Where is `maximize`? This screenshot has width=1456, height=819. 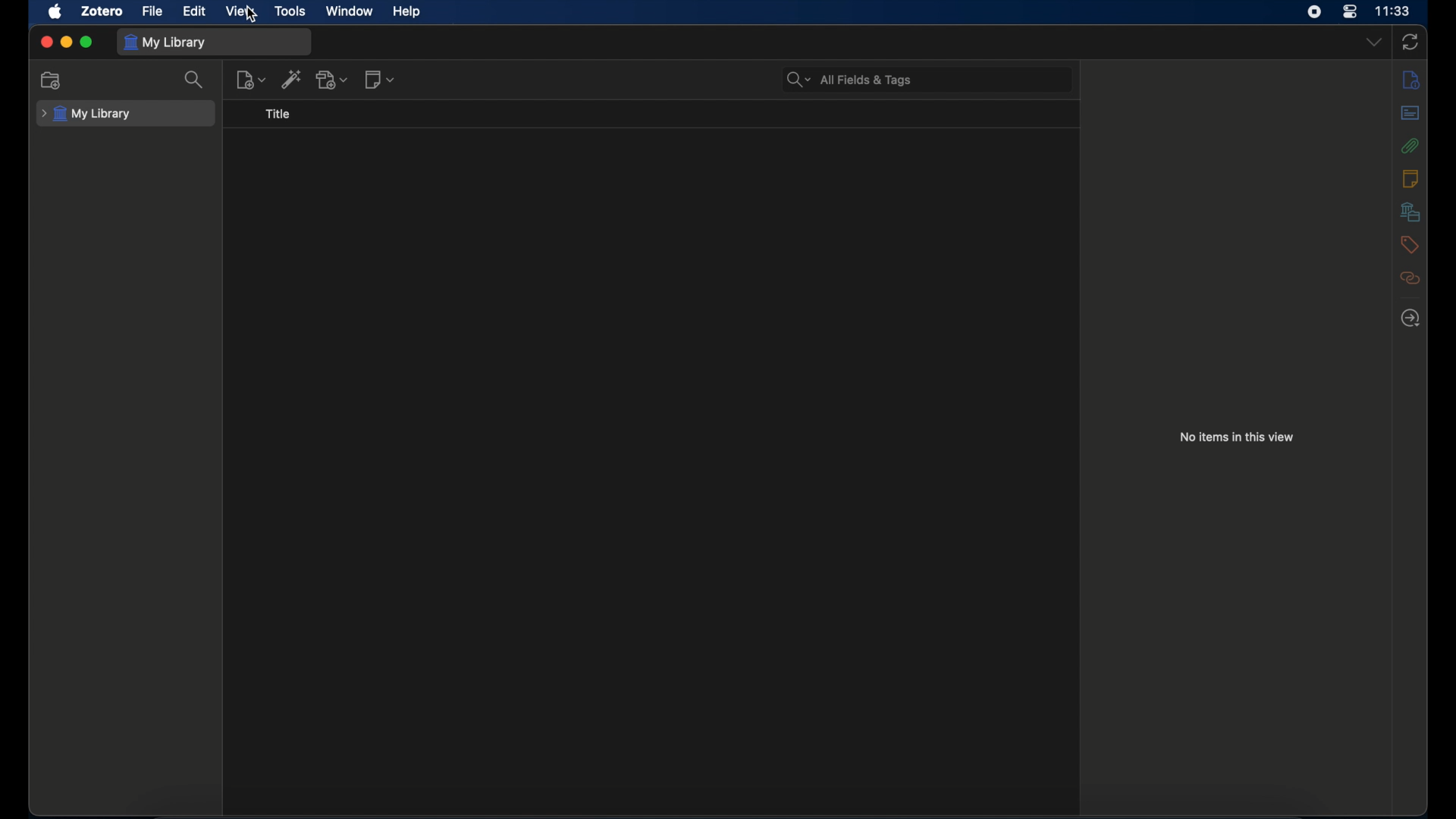
maximize is located at coordinates (86, 42).